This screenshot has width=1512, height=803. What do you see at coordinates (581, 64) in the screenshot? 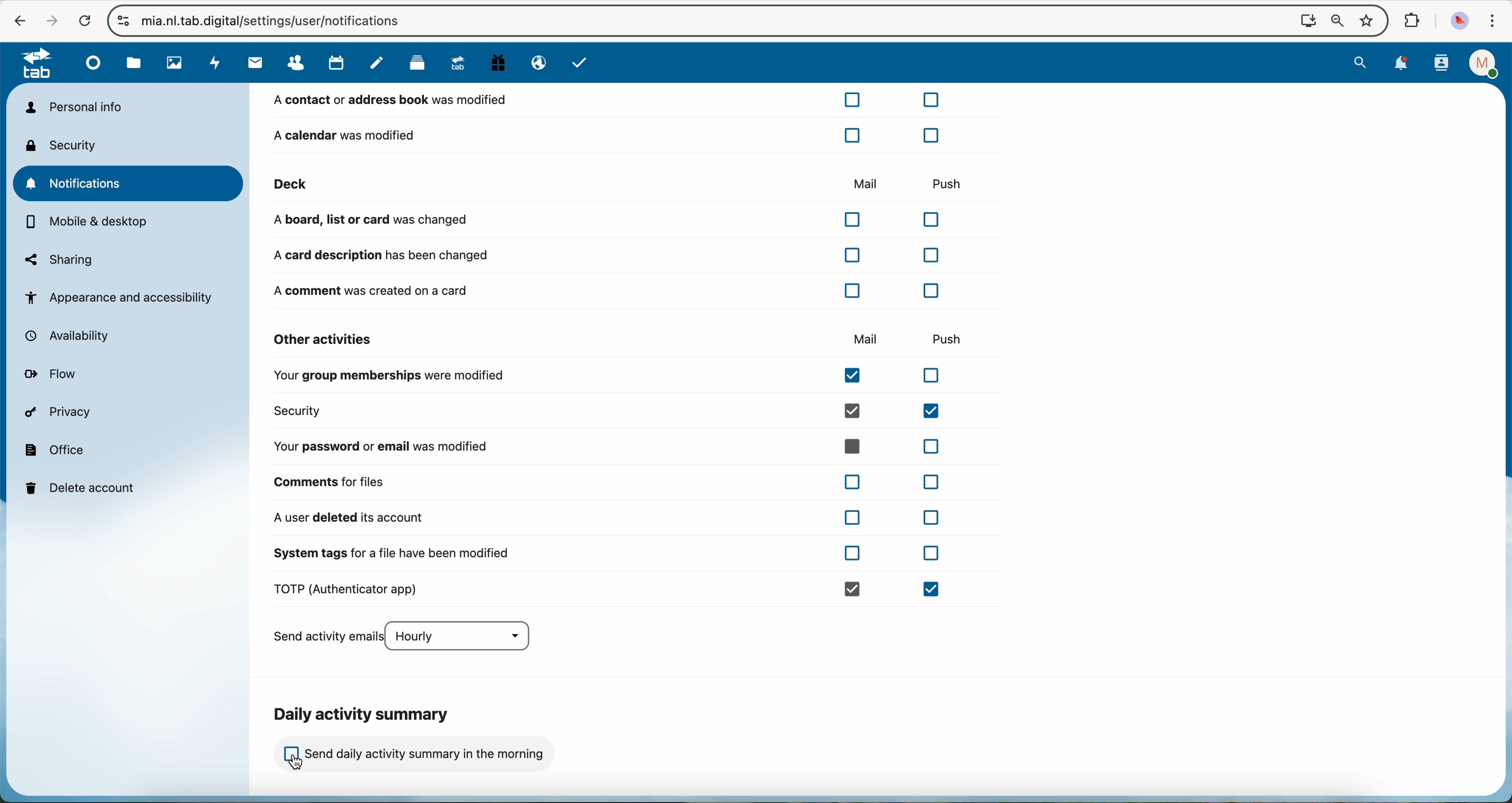
I see `task` at bounding box center [581, 64].